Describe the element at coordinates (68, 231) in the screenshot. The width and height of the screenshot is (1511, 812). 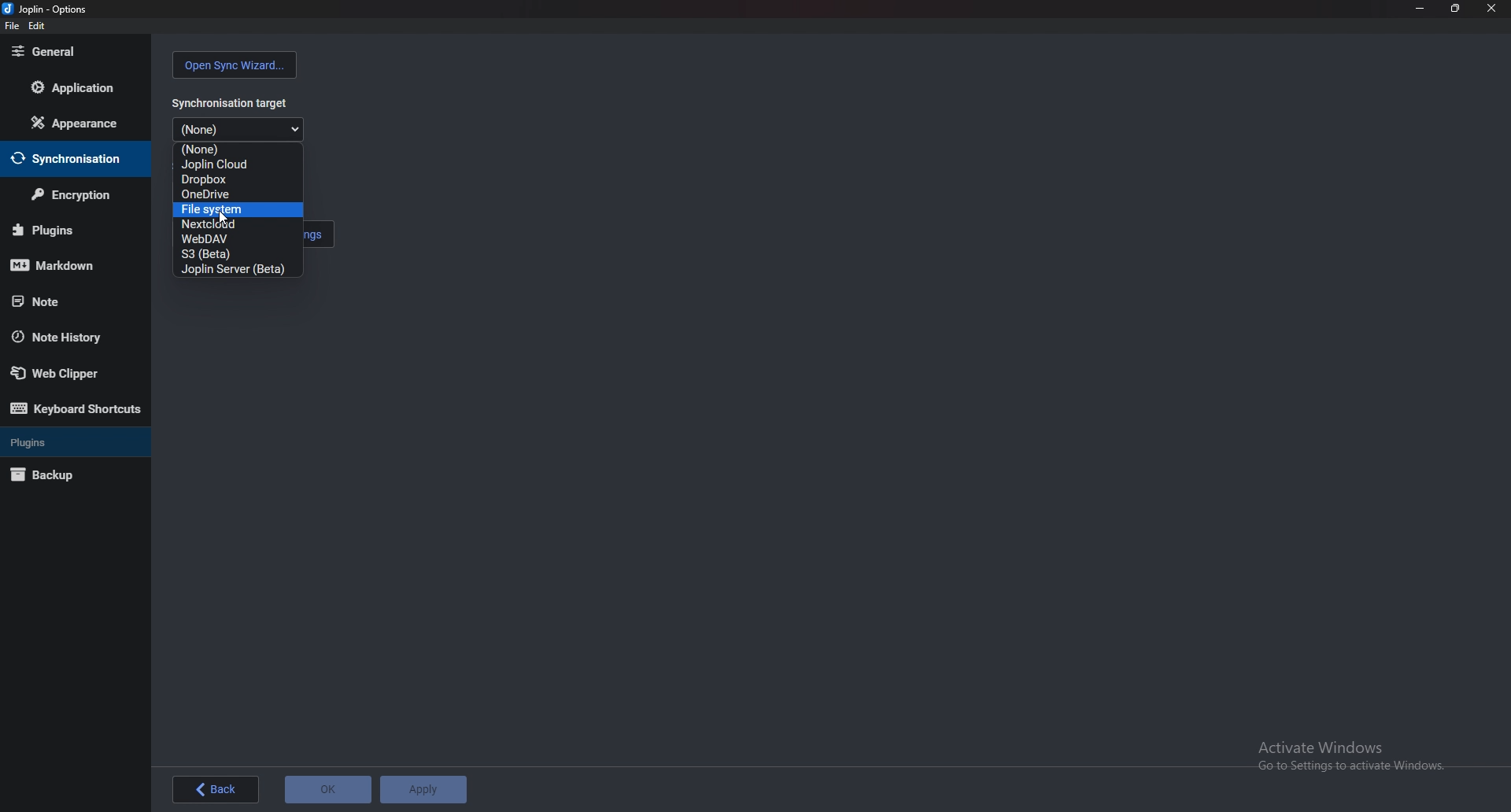
I see `Plugins` at that location.